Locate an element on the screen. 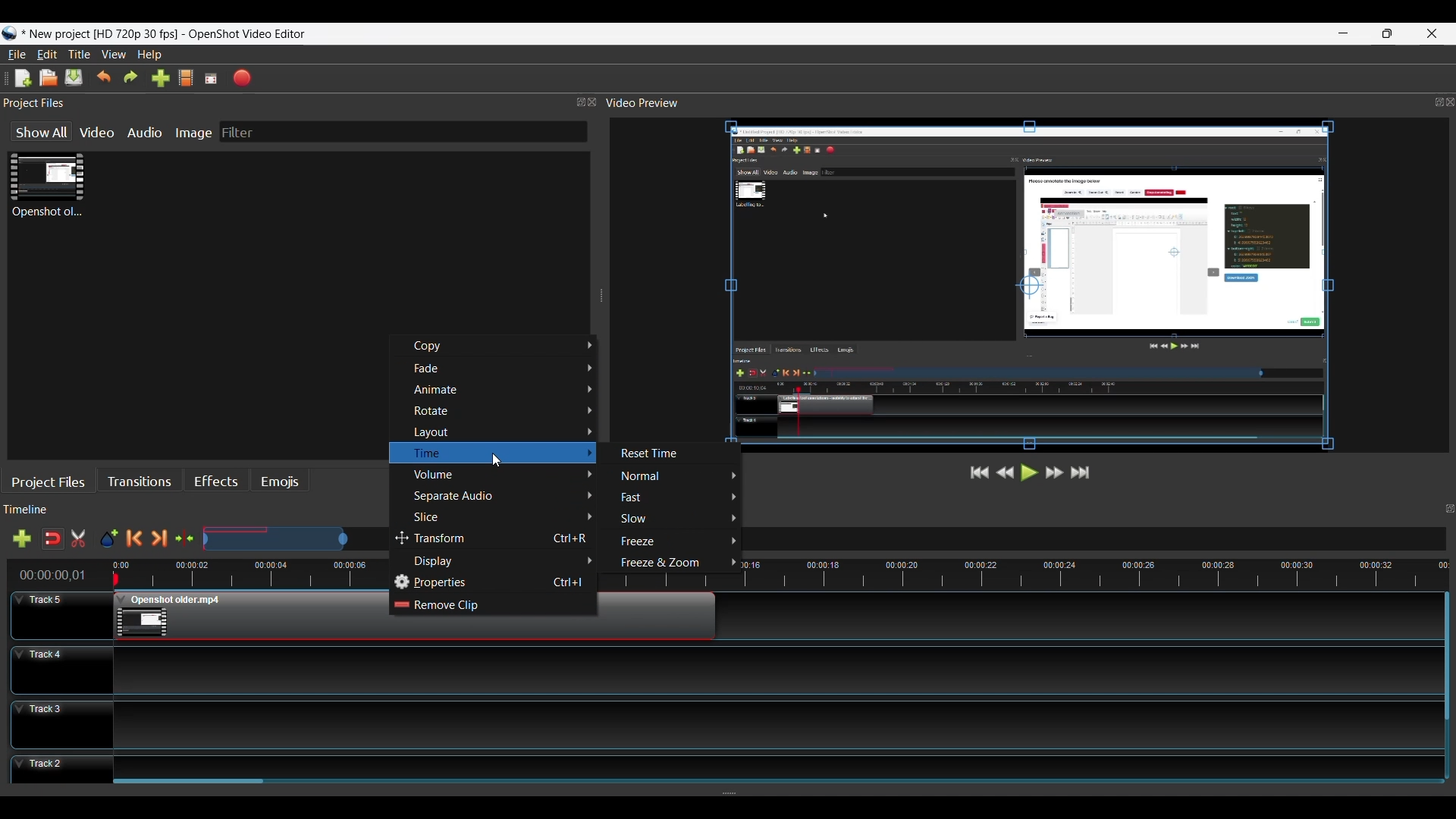 The image size is (1456, 819). Show All is located at coordinates (39, 132).